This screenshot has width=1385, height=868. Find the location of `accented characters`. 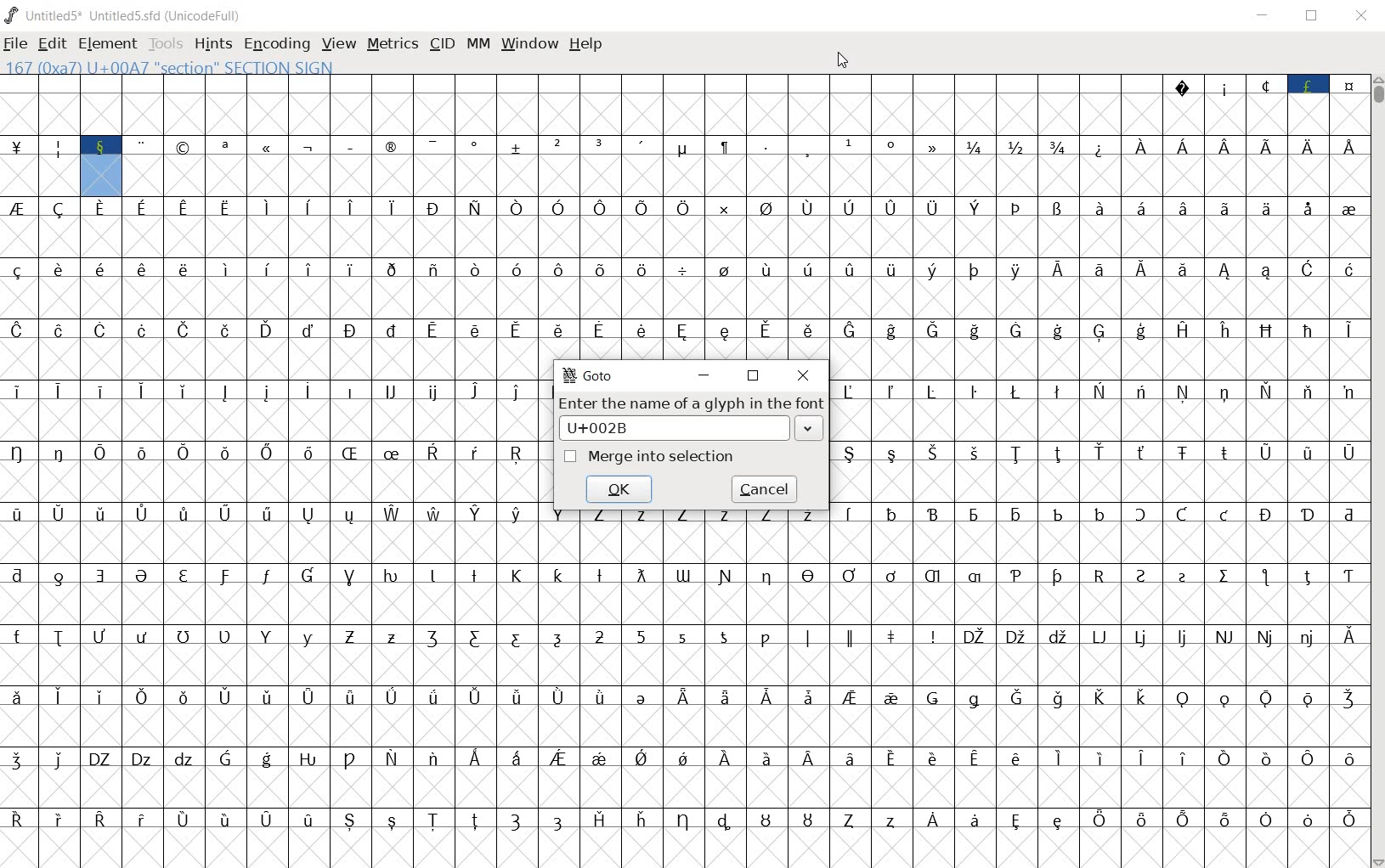

accented characters is located at coordinates (889, 533).